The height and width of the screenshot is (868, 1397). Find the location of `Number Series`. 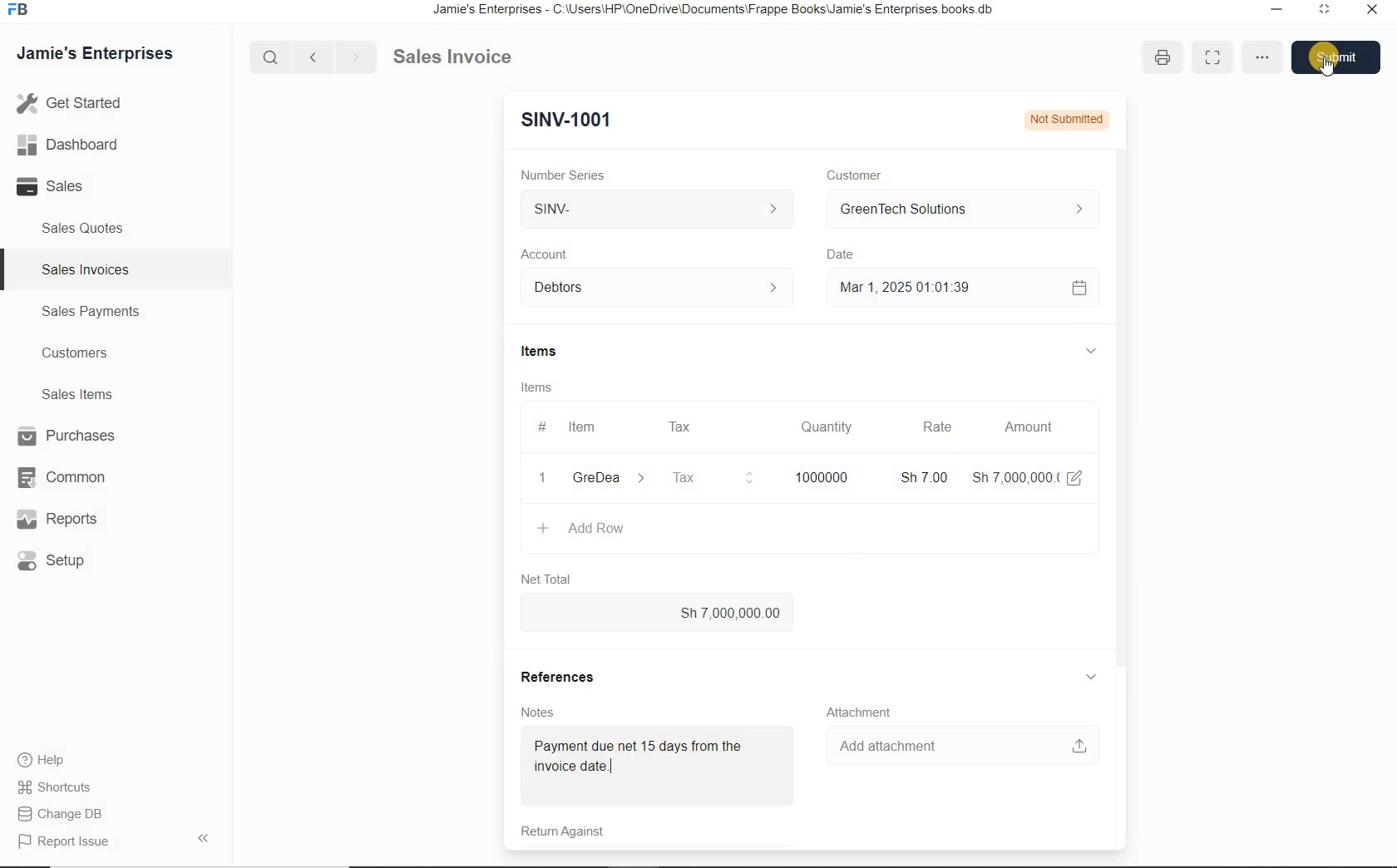

Number Series is located at coordinates (559, 172).